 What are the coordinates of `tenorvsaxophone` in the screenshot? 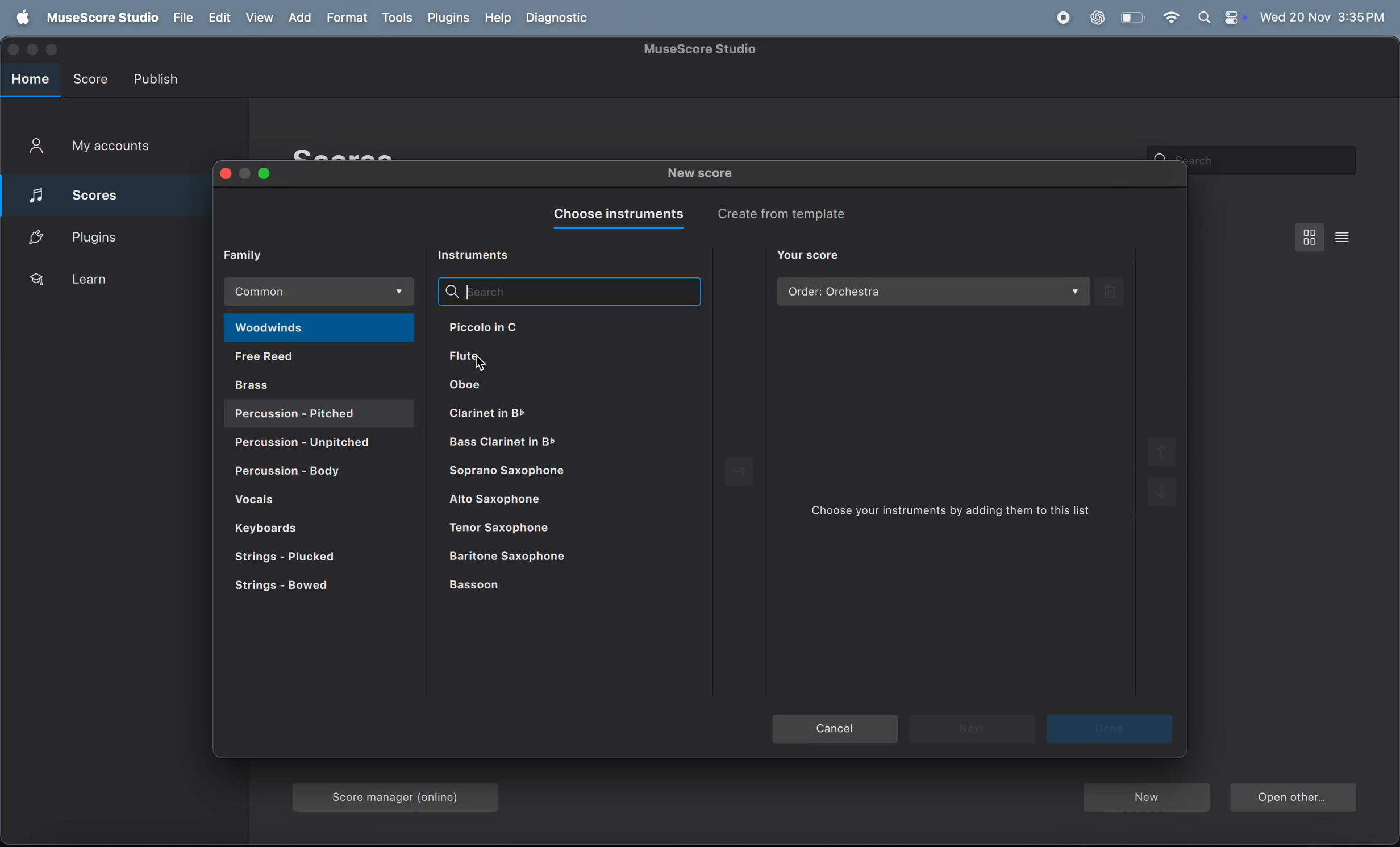 It's located at (559, 529).